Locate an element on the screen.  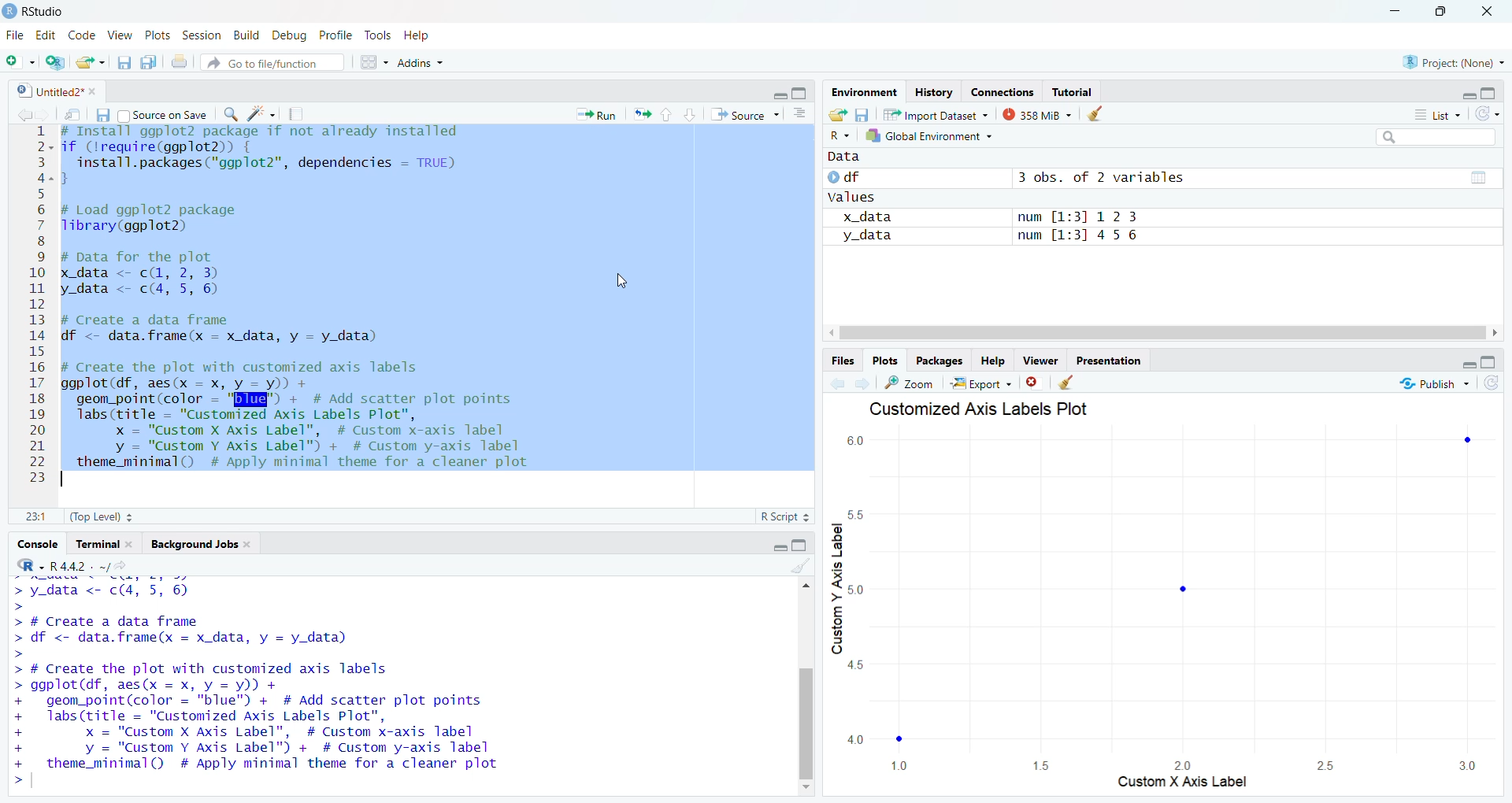
save is located at coordinates (120, 65).